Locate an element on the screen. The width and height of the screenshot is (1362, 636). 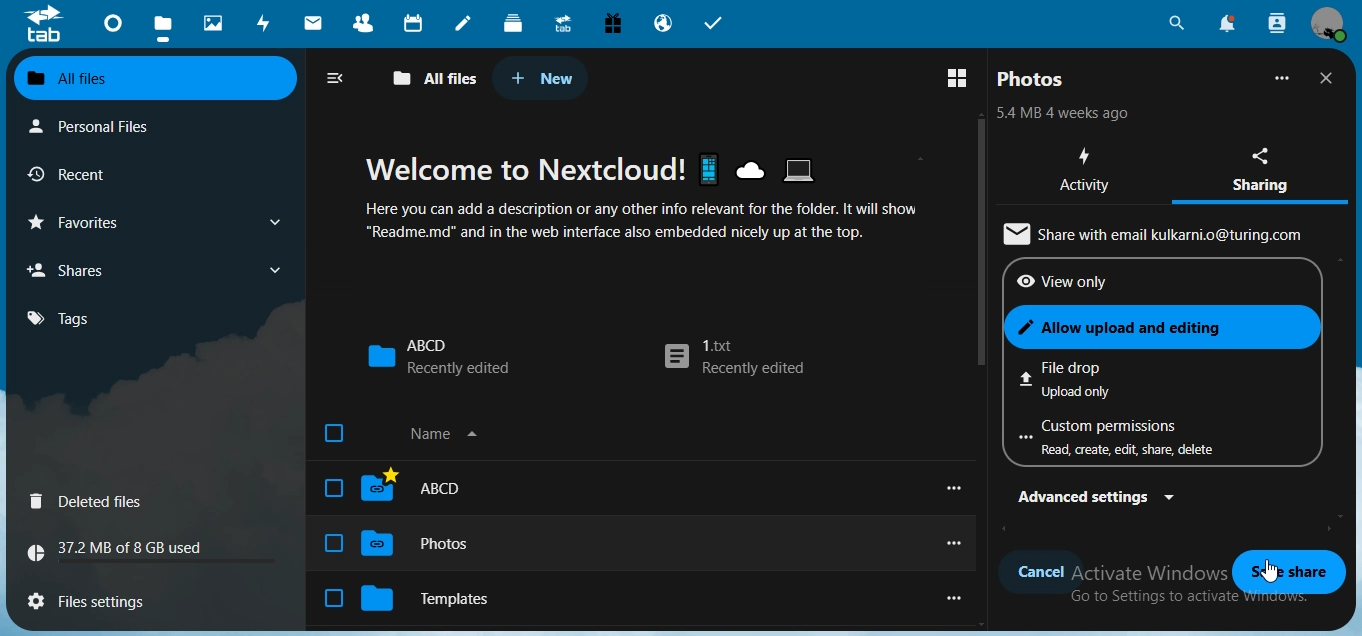
photos is located at coordinates (216, 24).